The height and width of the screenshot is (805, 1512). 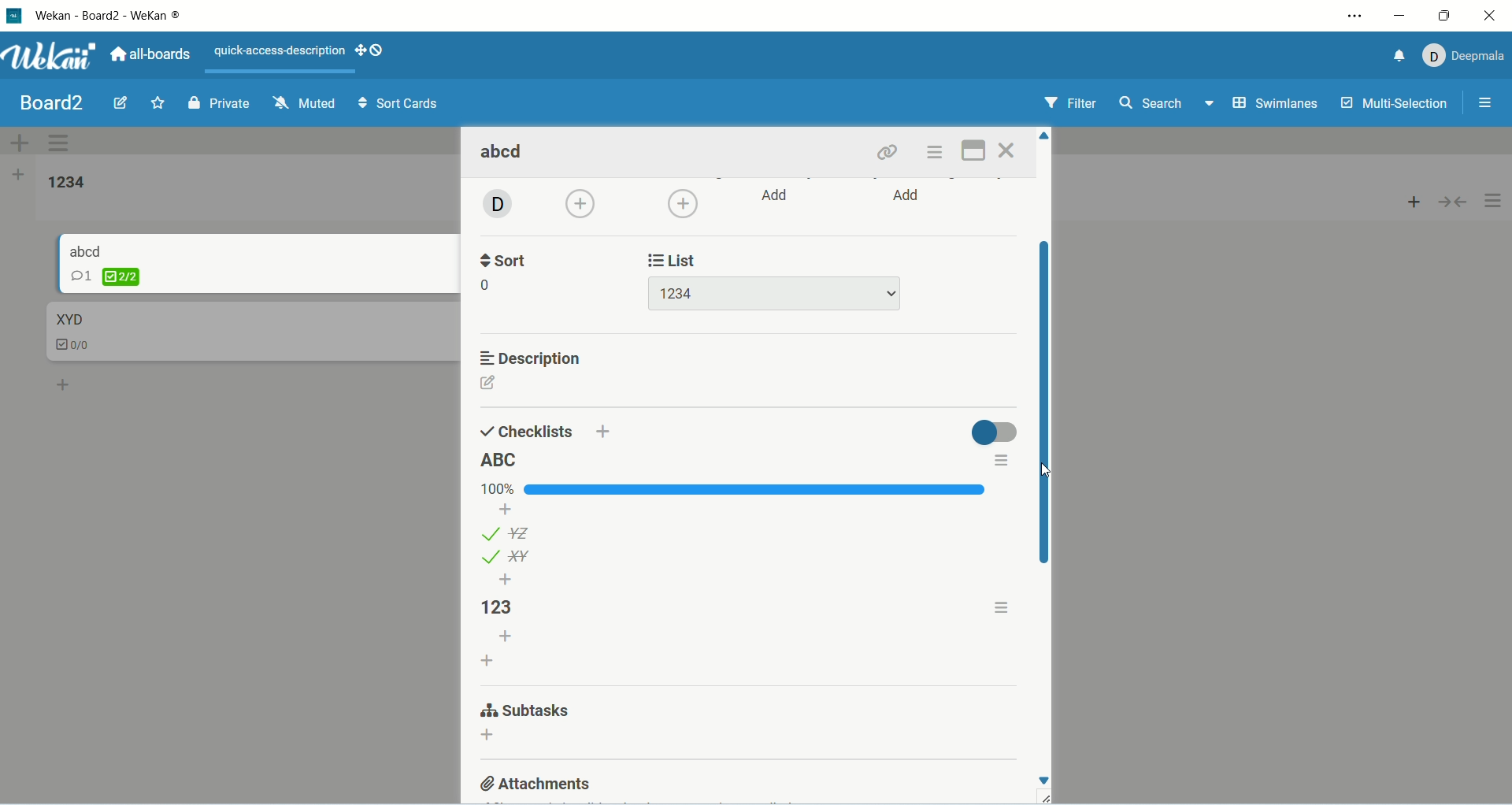 I want to click on vertical scroll bar, so click(x=1043, y=404).